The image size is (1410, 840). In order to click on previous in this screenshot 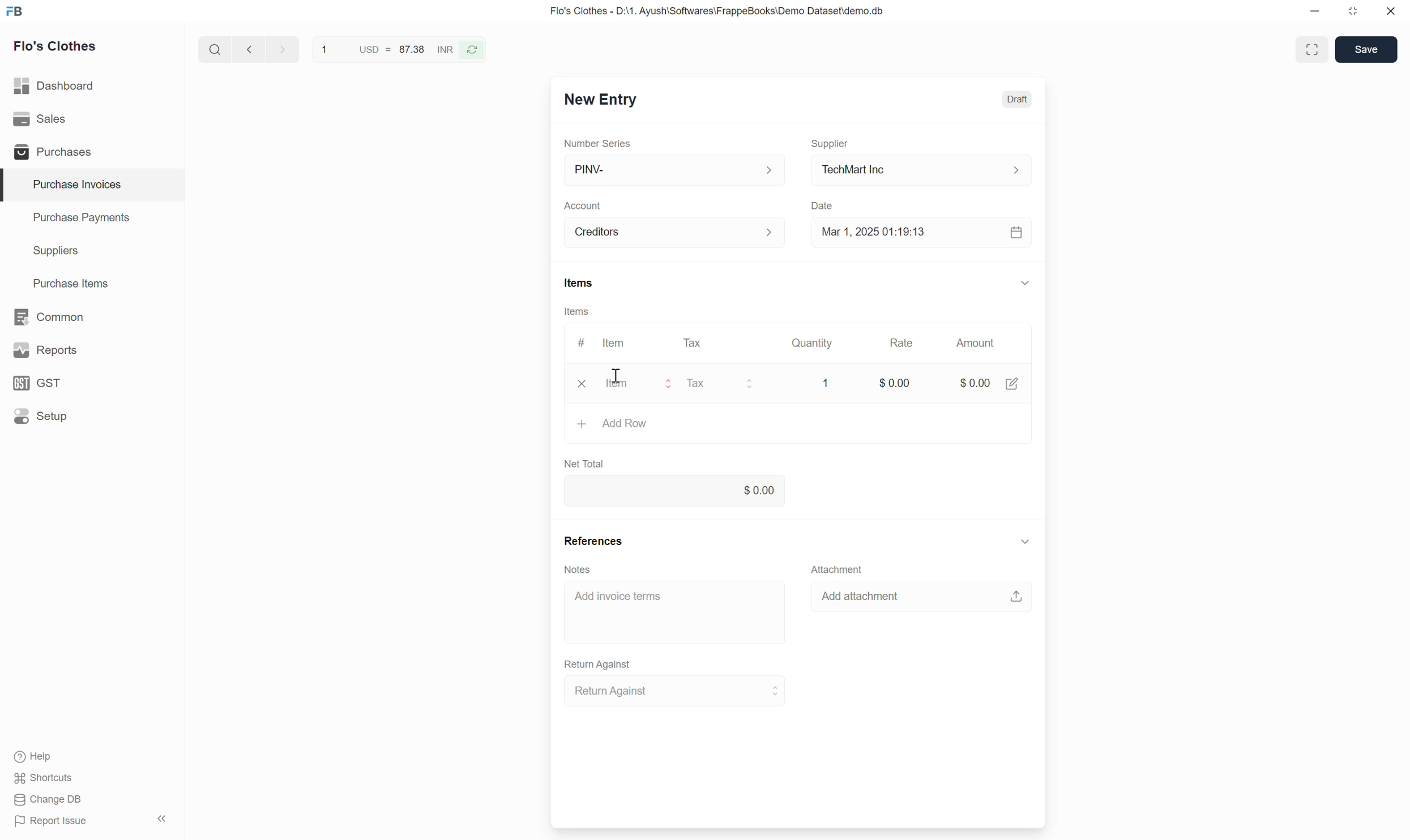, I will do `click(280, 48)`.